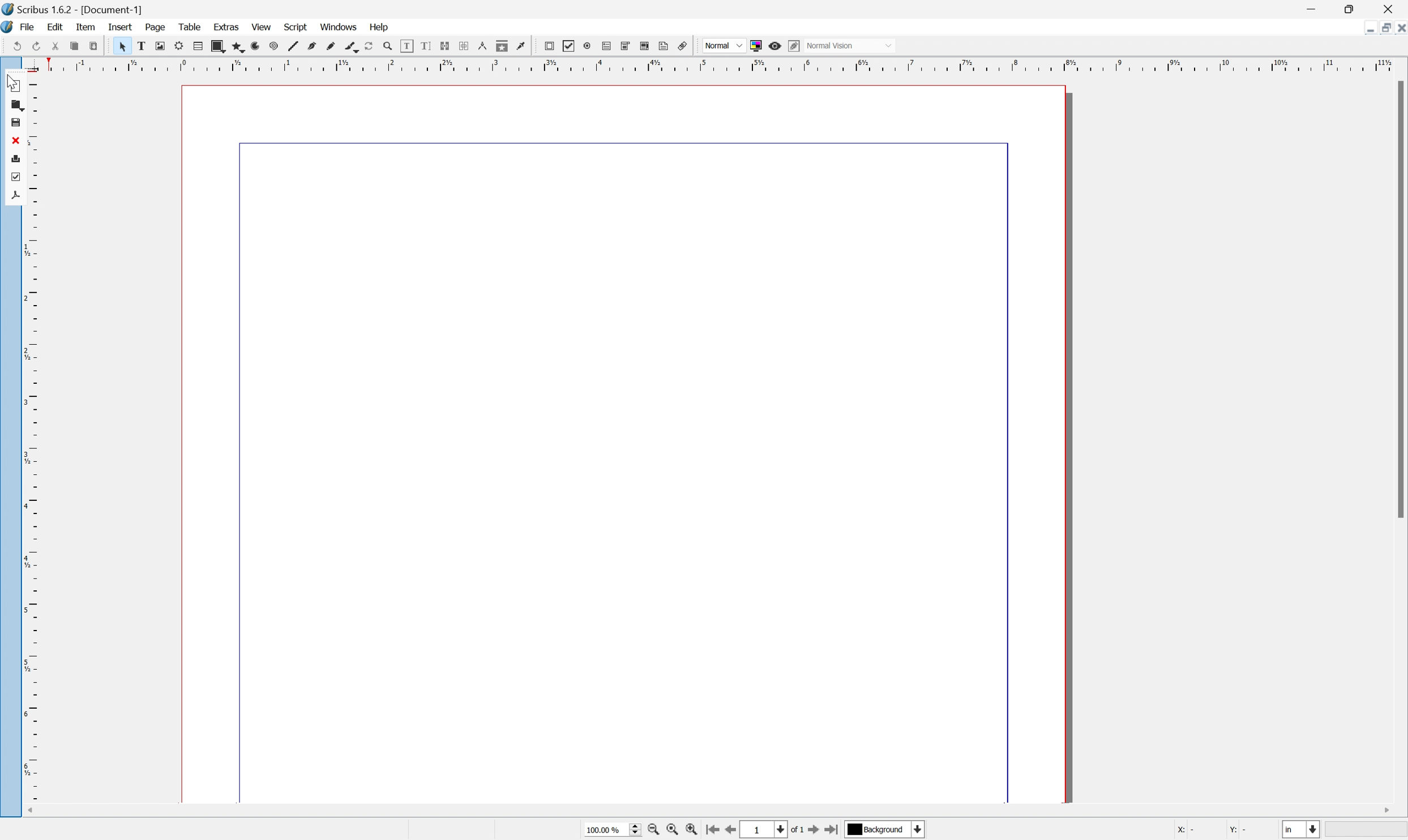 This screenshot has width=1408, height=840. Describe the element at coordinates (145, 46) in the screenshot. I see `save as pdf` at that location.